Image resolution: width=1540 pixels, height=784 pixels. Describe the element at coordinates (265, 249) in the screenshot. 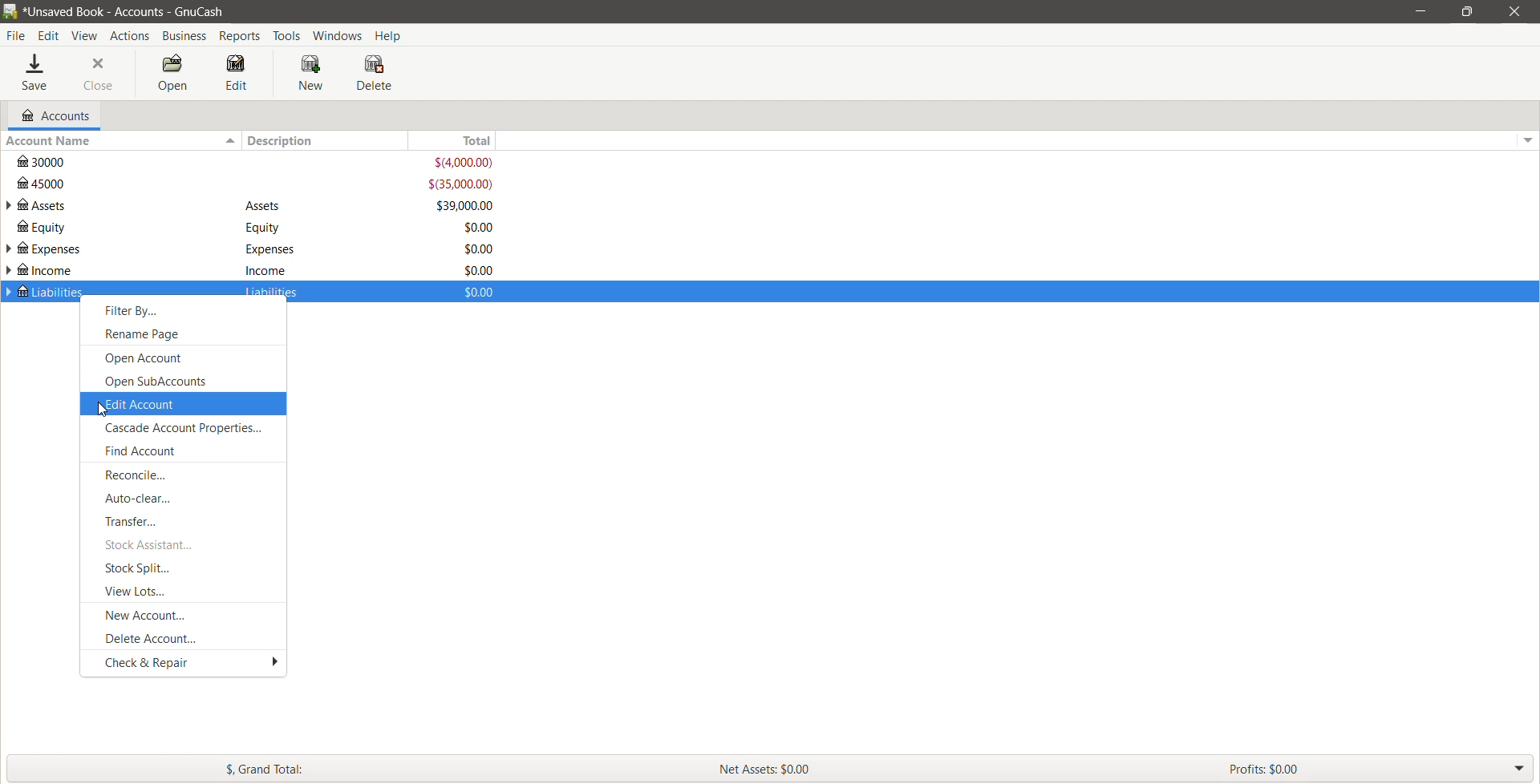

I see `details of the account "Expenses"` at that location.